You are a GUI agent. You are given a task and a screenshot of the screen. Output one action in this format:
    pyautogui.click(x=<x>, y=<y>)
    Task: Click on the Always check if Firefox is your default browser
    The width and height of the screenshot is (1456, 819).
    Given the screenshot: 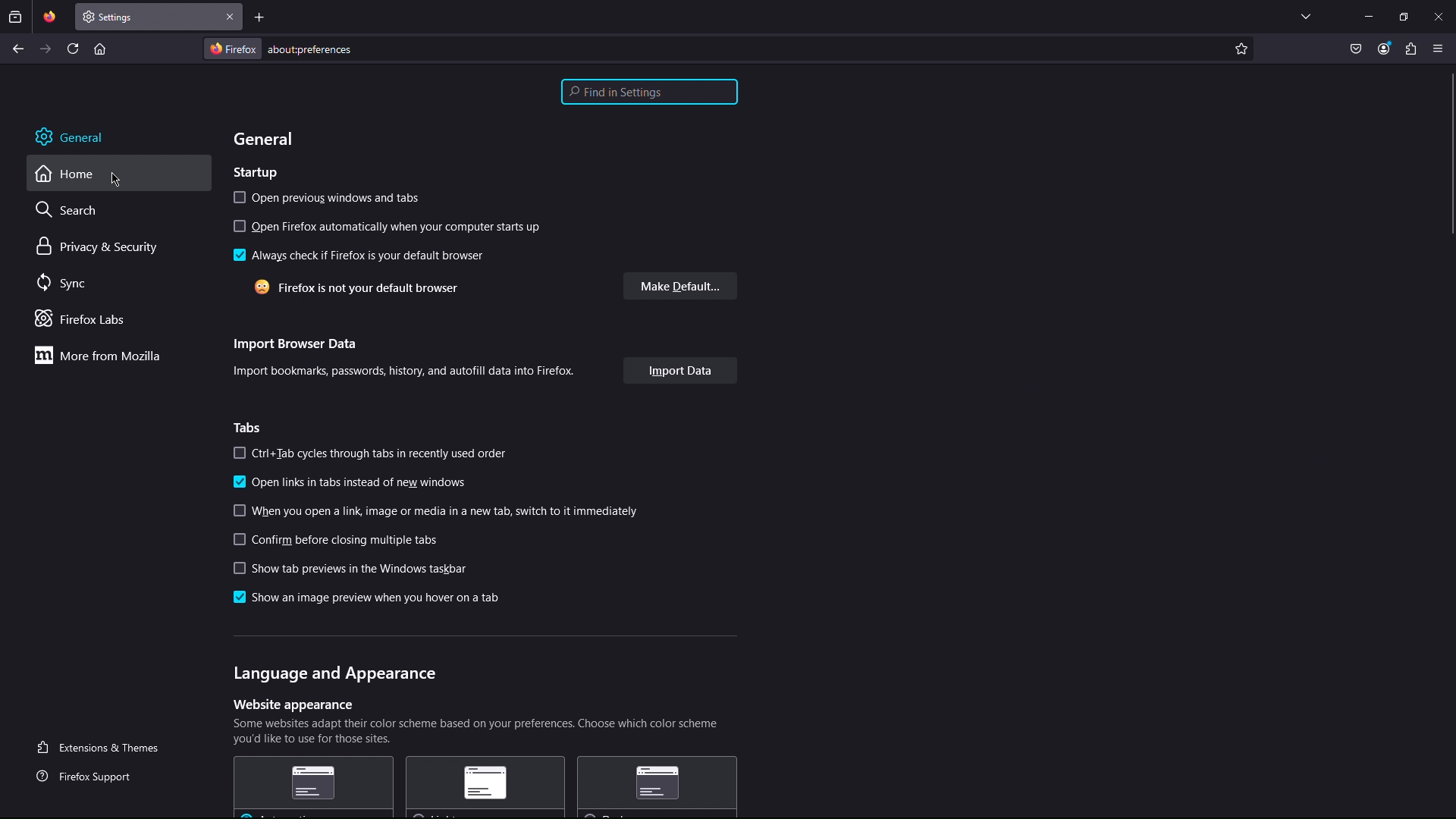 What is the action you would take?
    pyautogui.click(x=360, y=256)
    